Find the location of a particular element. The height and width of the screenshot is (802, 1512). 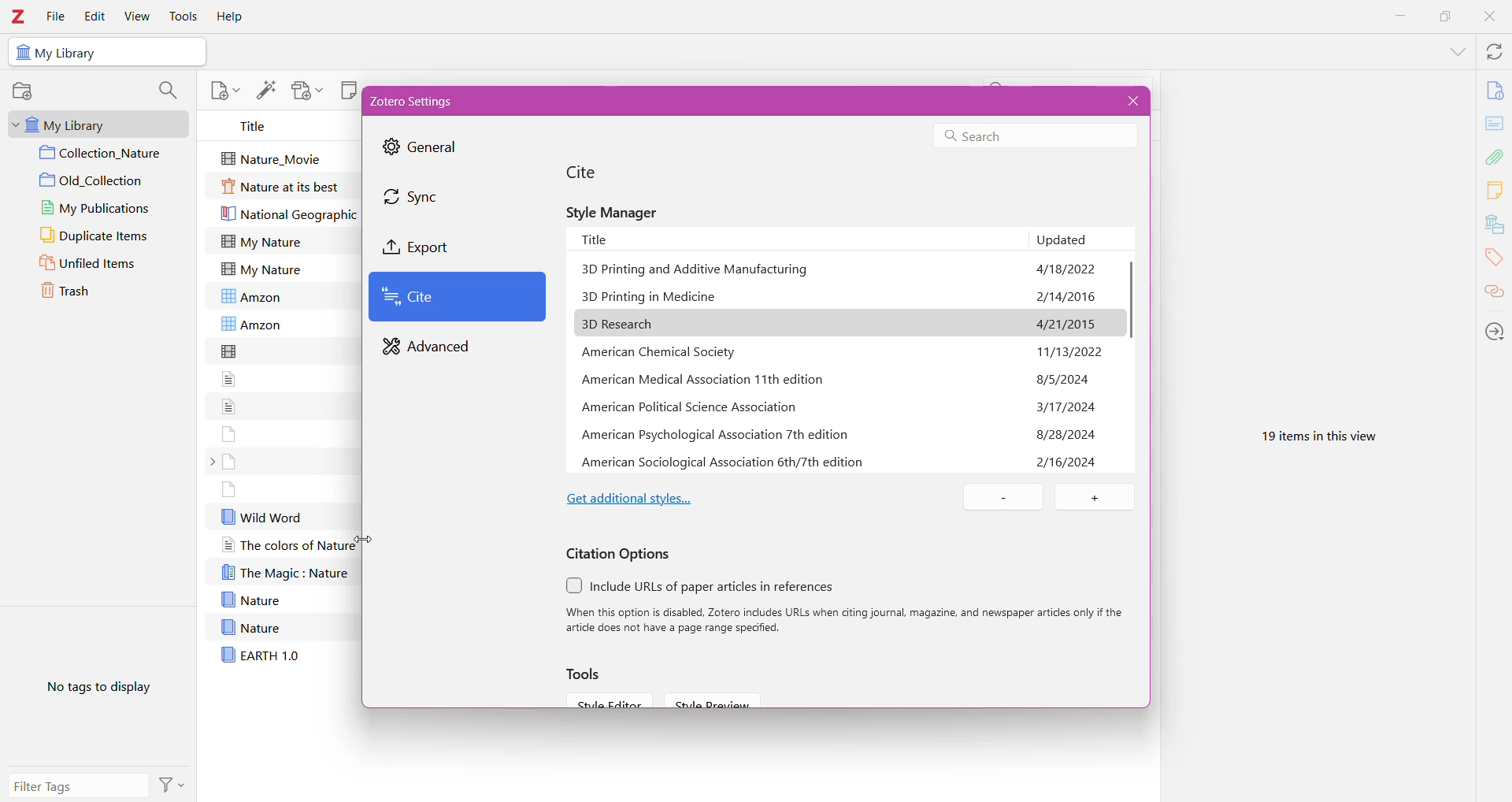

My Library is located at coordinates (71, 54).